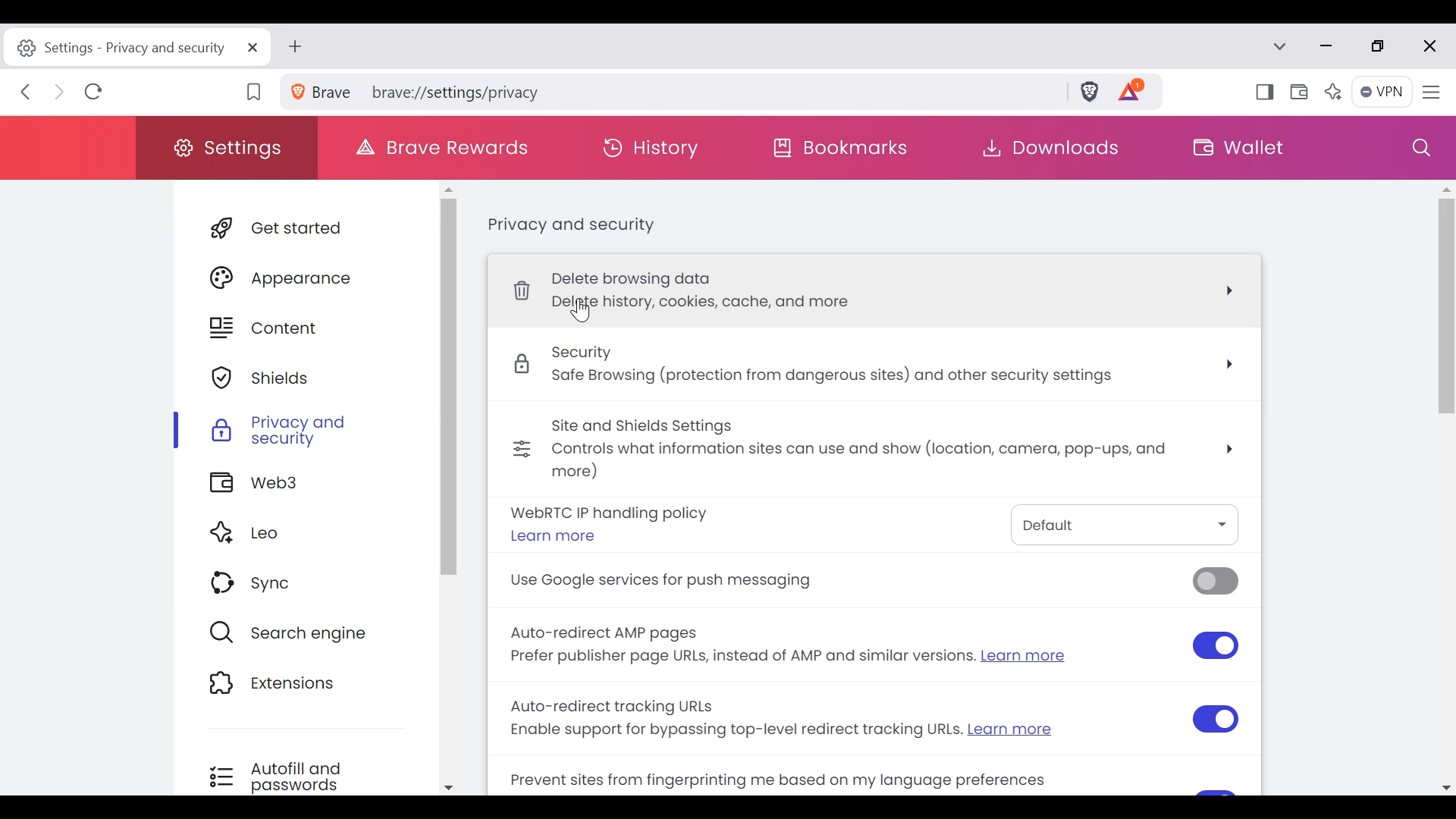 Image resolution: width=1456 pixels, height=819 pixels. I want to click on Autofill and passwords, so click(294, 776).